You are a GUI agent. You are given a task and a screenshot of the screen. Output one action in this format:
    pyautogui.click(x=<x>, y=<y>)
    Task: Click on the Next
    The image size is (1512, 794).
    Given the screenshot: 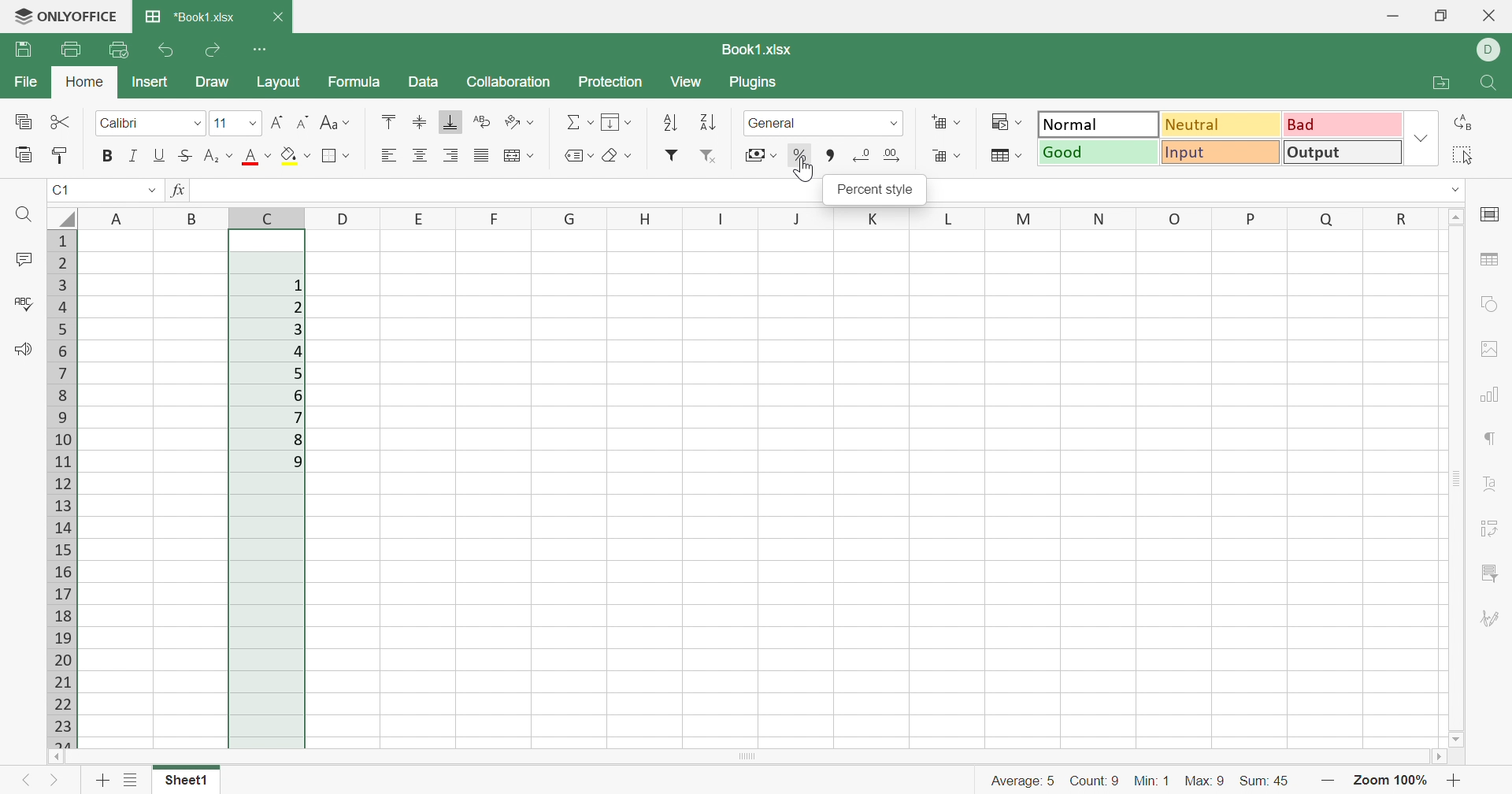 What is the action you would take?
    pyautogui.click(x=57, y=783)
    